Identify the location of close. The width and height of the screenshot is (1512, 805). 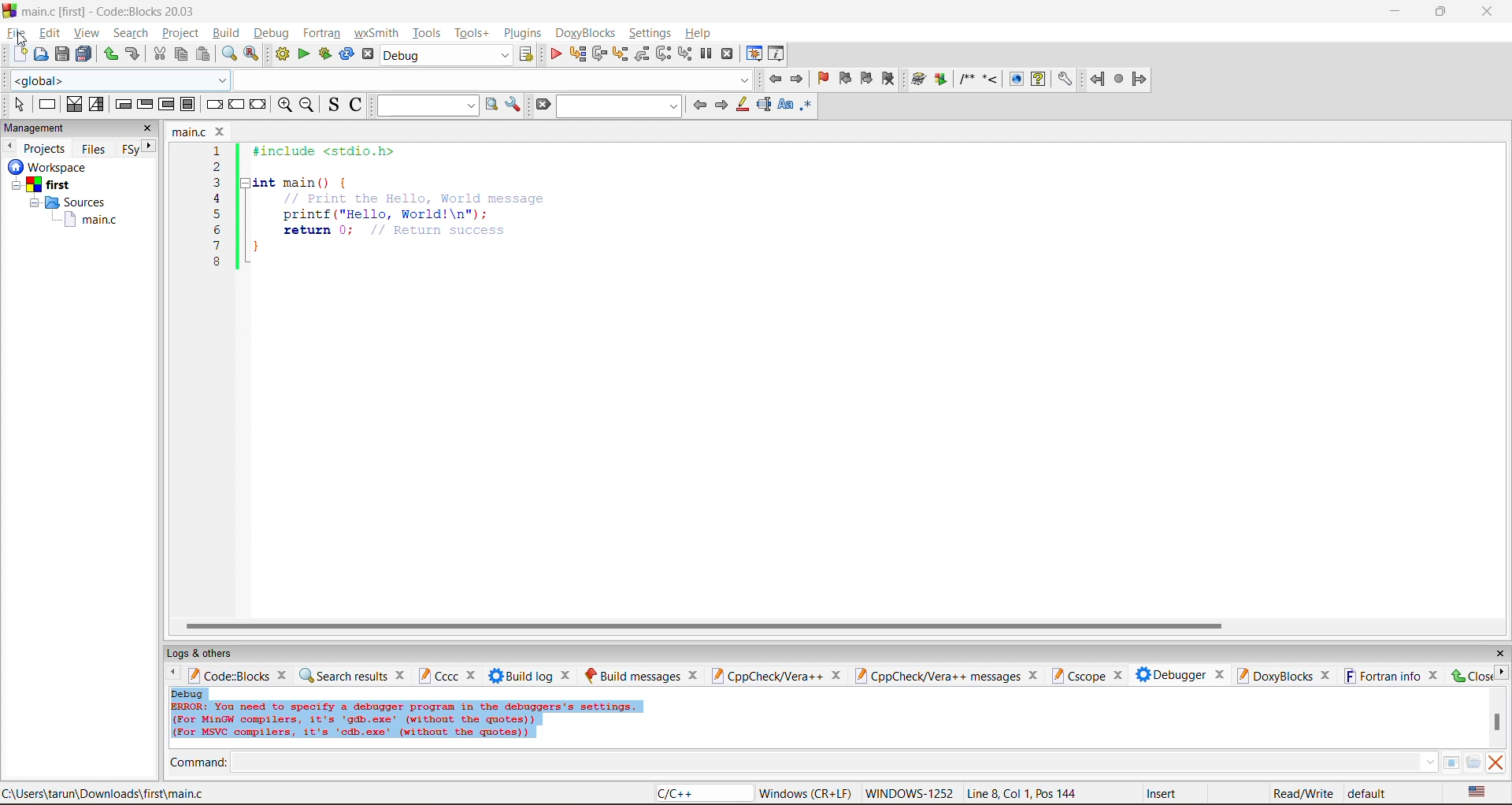
(1499, 654).